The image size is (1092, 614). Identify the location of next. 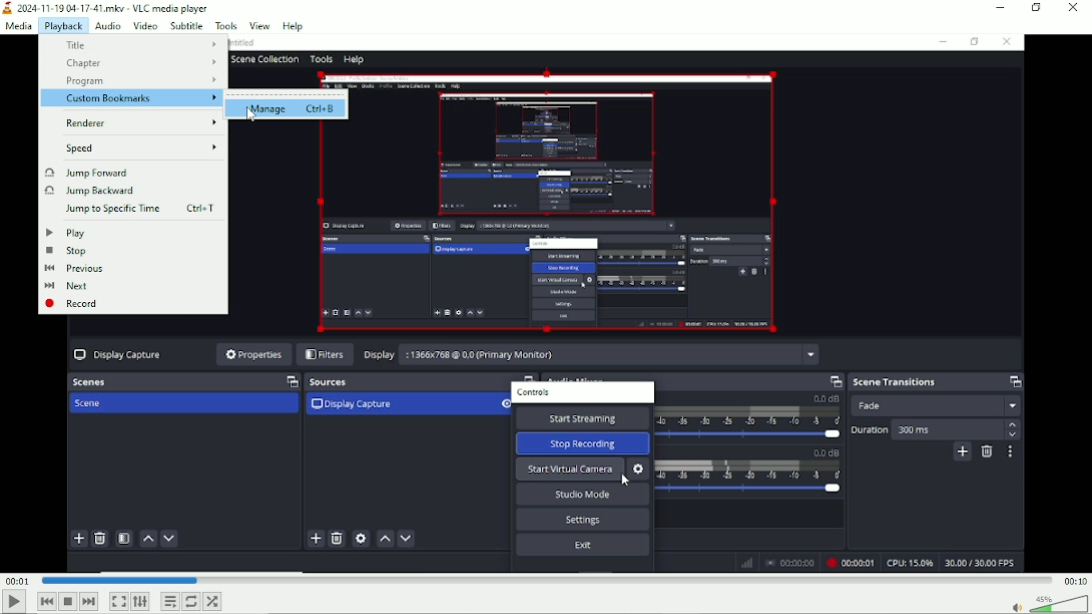
(70, 286).